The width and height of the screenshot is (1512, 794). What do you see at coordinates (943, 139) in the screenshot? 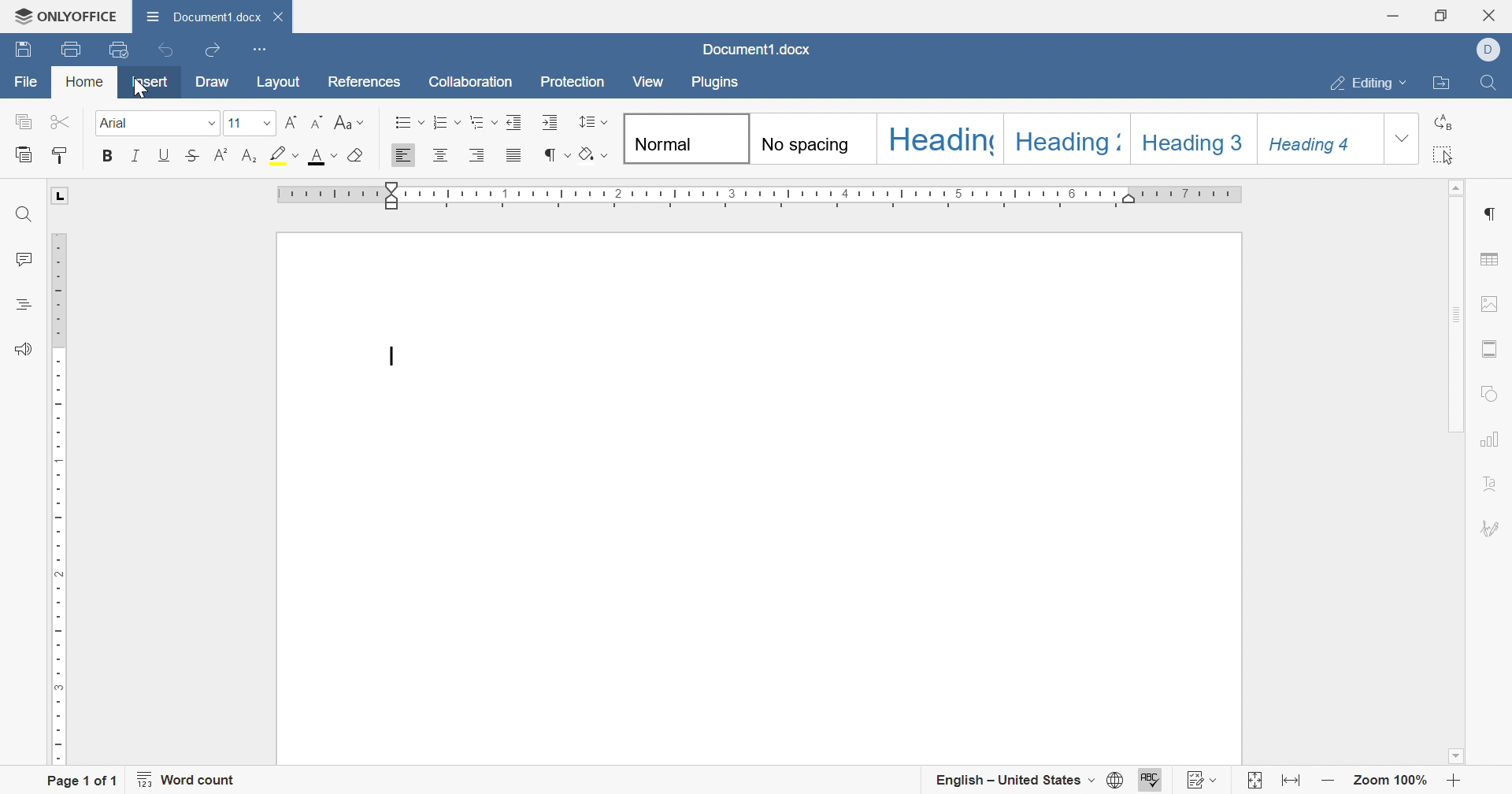
I see `Heading` at bounding box center [943, 139].